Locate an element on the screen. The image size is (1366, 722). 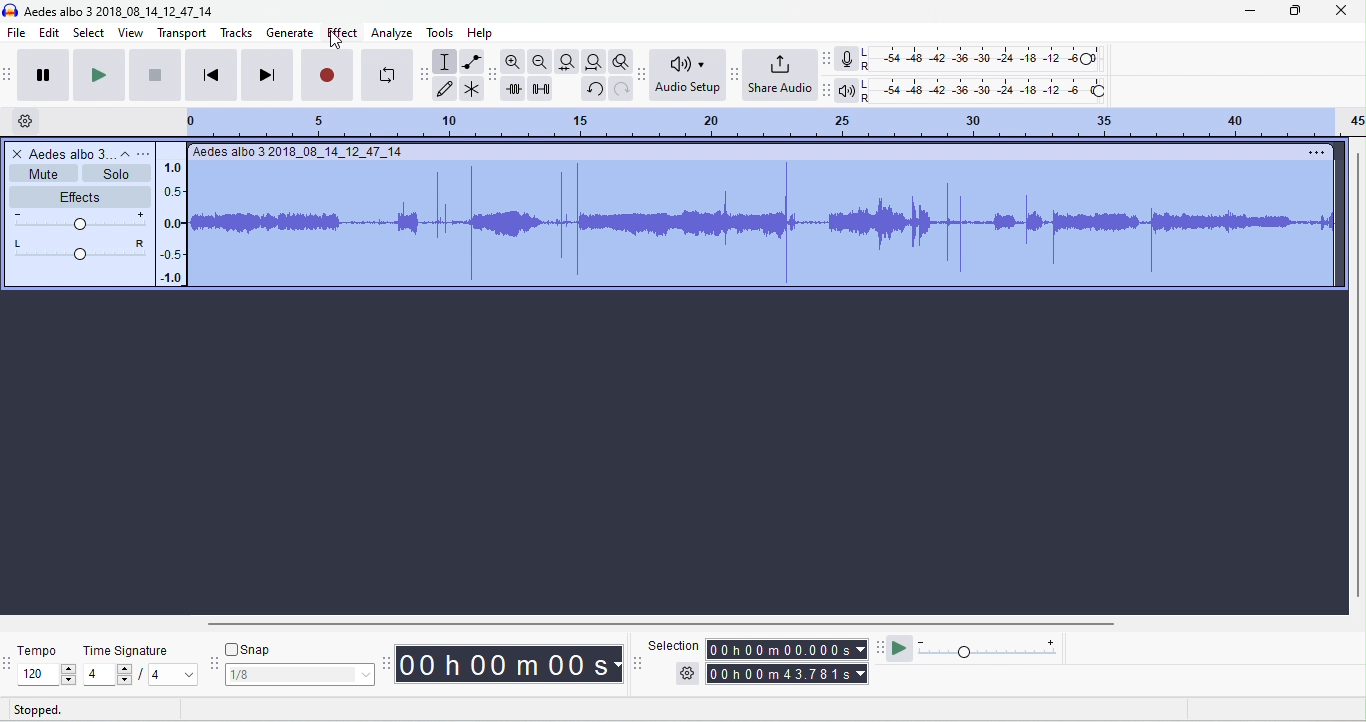
total time is located at coordinates (785, 674).